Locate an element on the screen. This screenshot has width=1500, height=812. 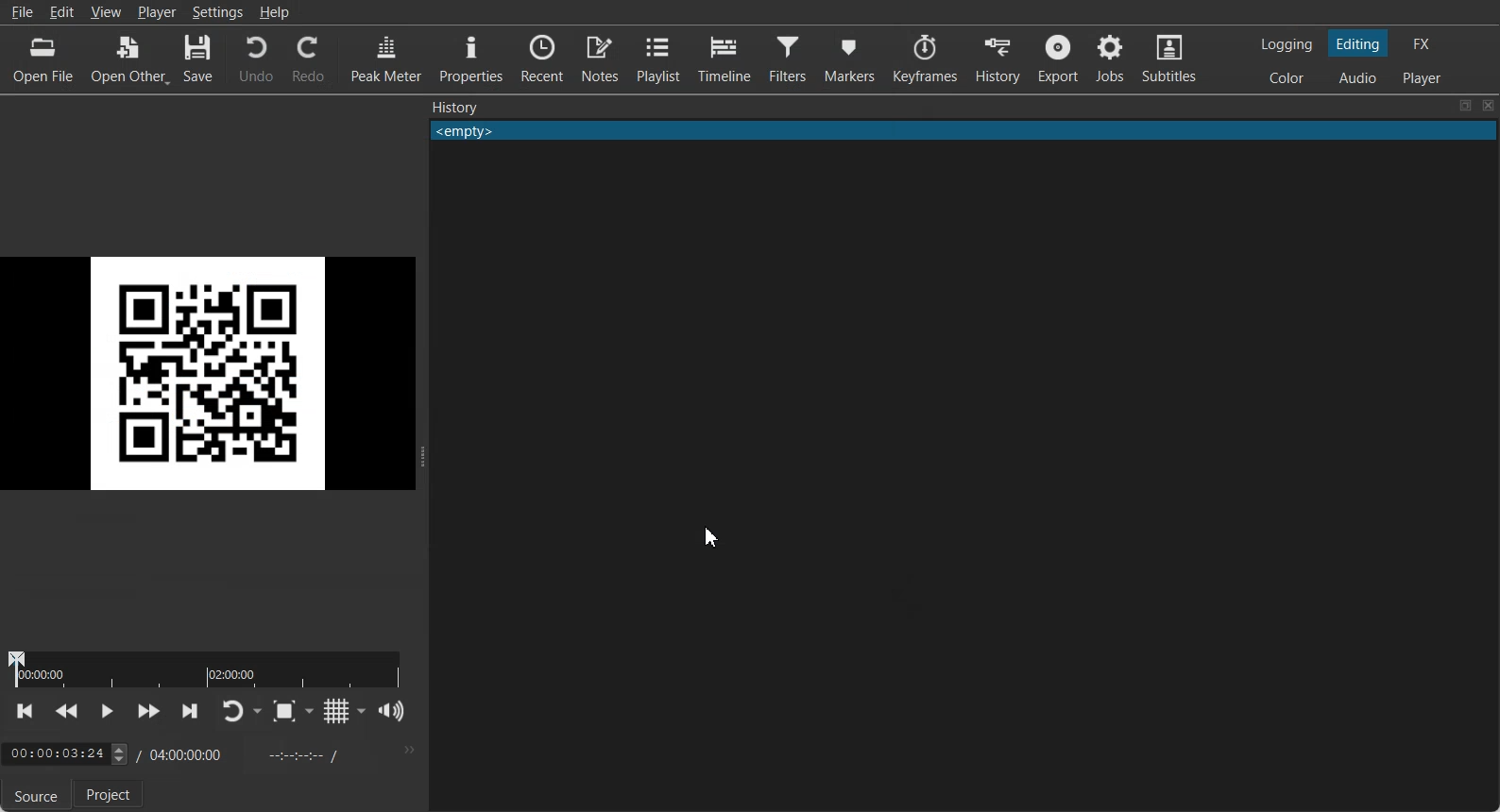
Cursor is located at coordinates (712, 539).